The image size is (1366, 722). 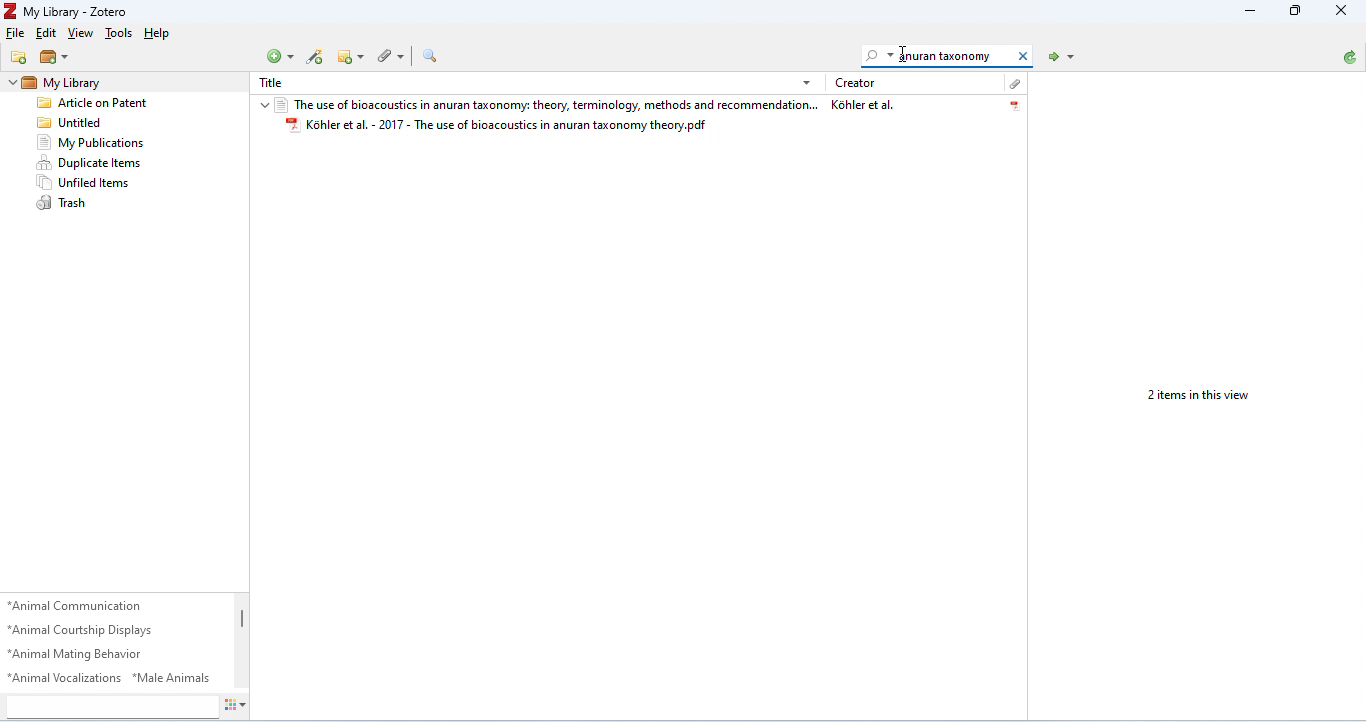 What do you see at coordinates (271, 83) in the screenshot?
I see `Title` at bounding box center [271, 83].